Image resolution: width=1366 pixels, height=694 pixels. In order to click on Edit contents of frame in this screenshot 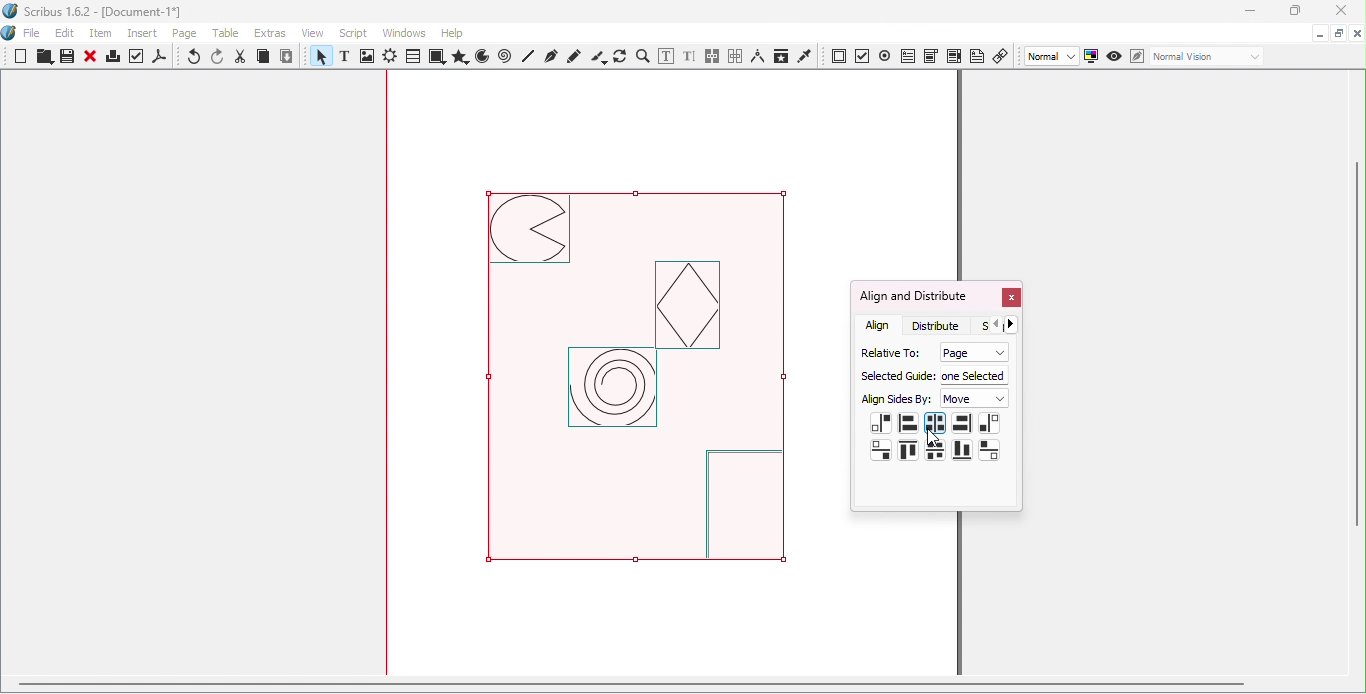, I will do `click(665, 56)`.